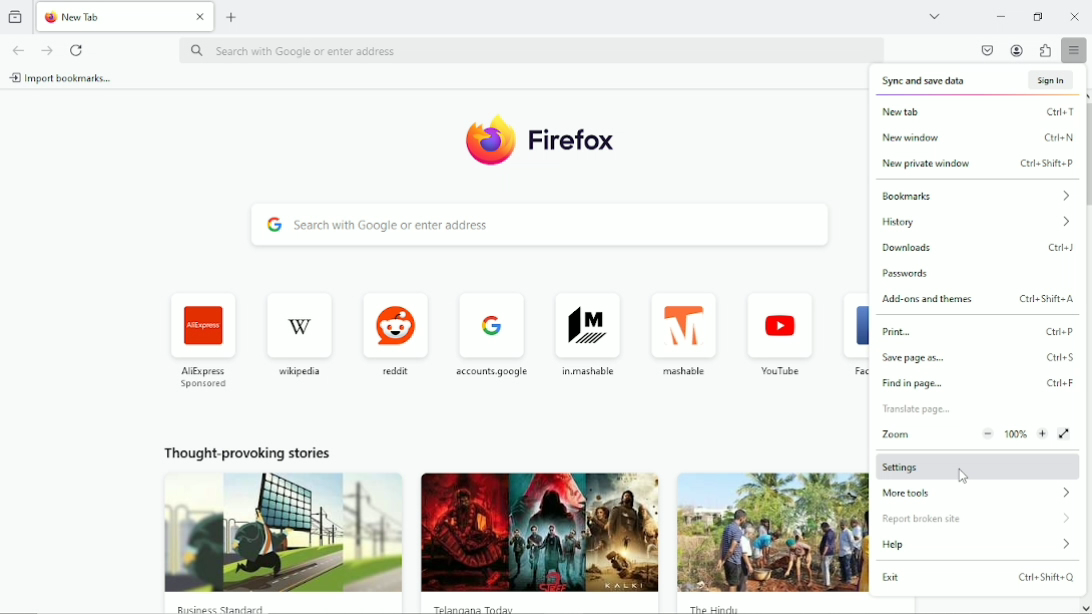 The image size is (1092, 614). I want to click on Close, so click(1076, 15).